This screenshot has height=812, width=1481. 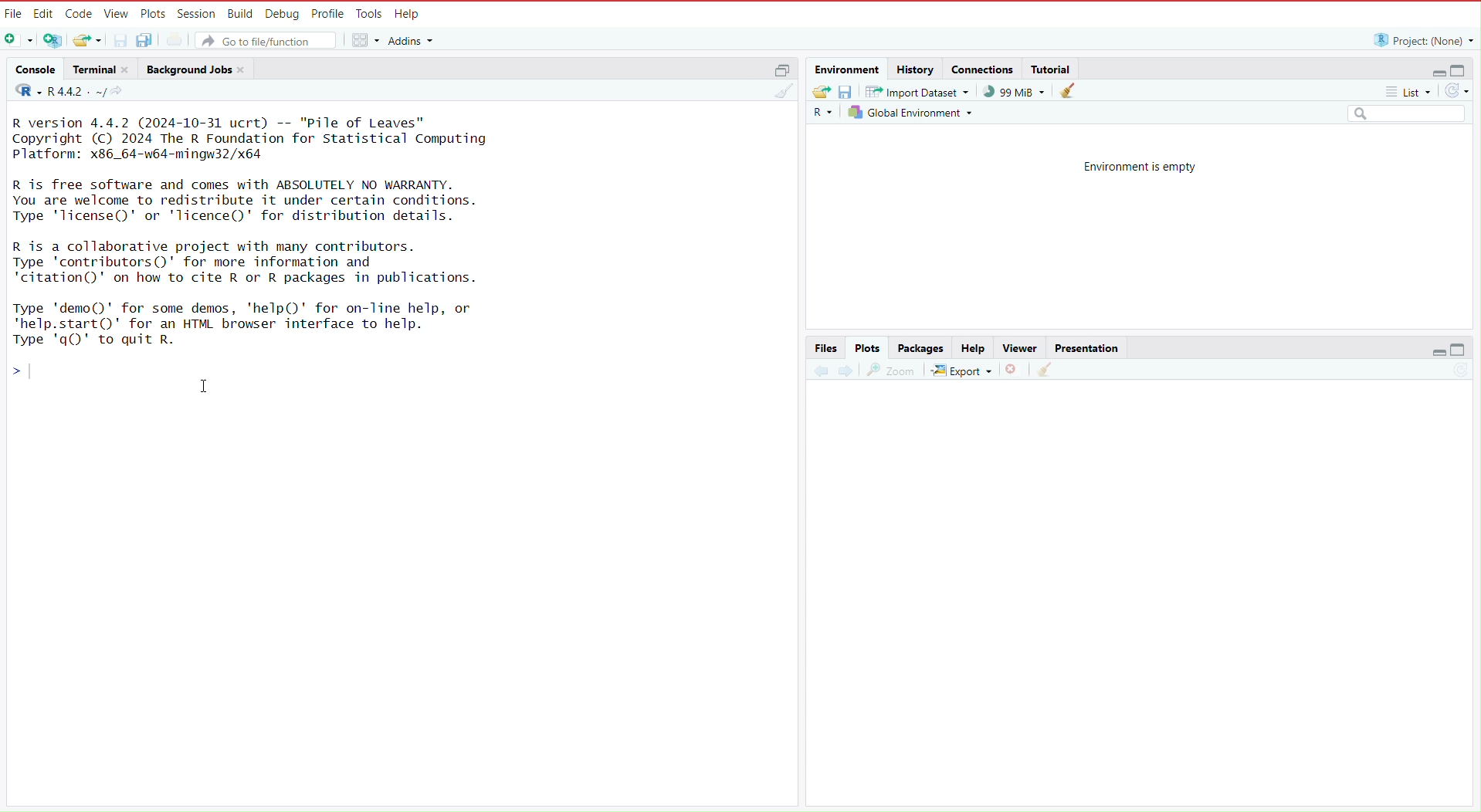 What do you see at coordinates (982, 68) in the screenshot?
I see `connections` at bounding box center [982, 68].